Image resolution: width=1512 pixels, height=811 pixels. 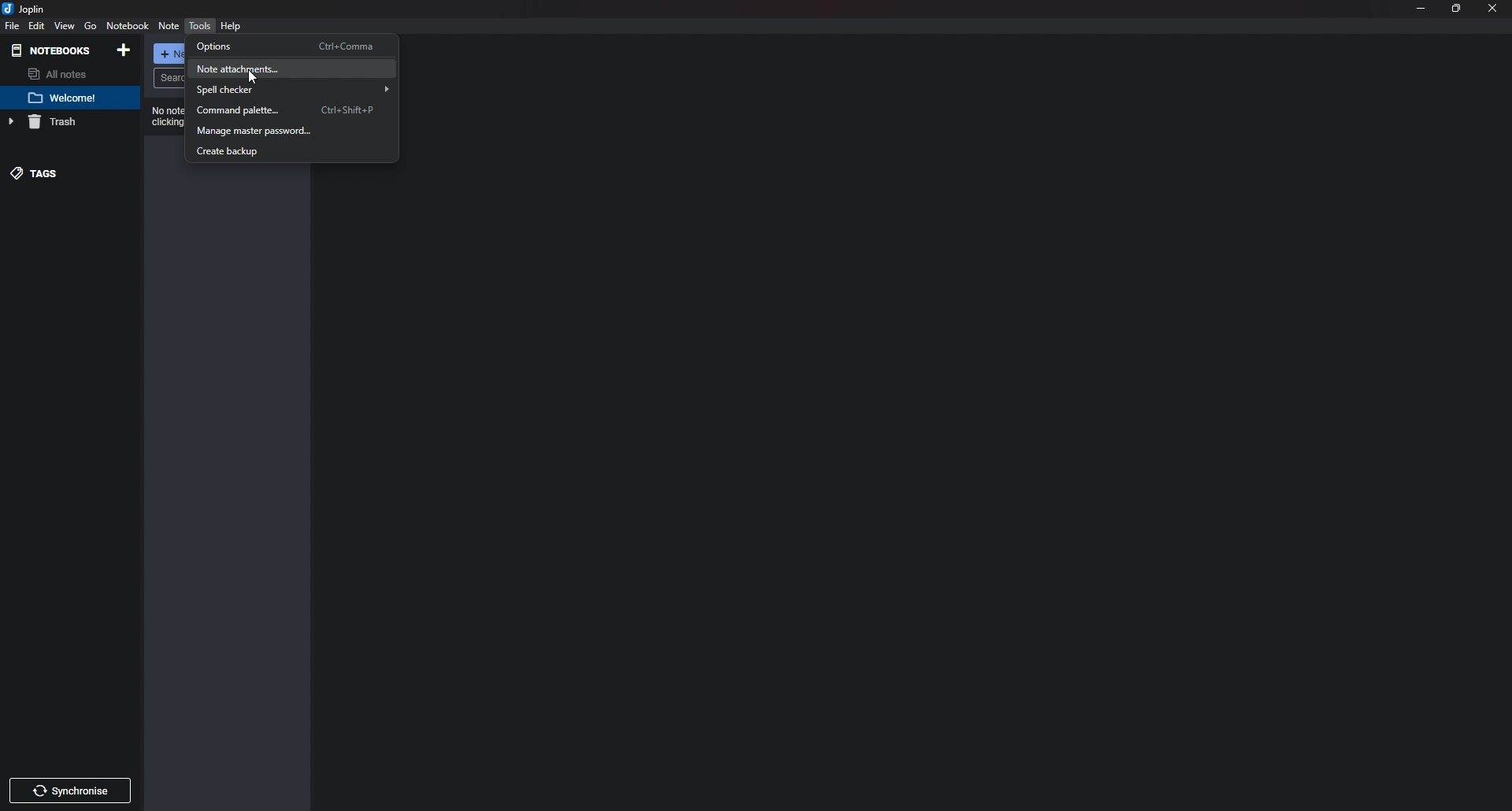 What do you see at coordinates (124, 50) in the screenshot?
I see `Add notebooks` at bounding box center [124, 50].